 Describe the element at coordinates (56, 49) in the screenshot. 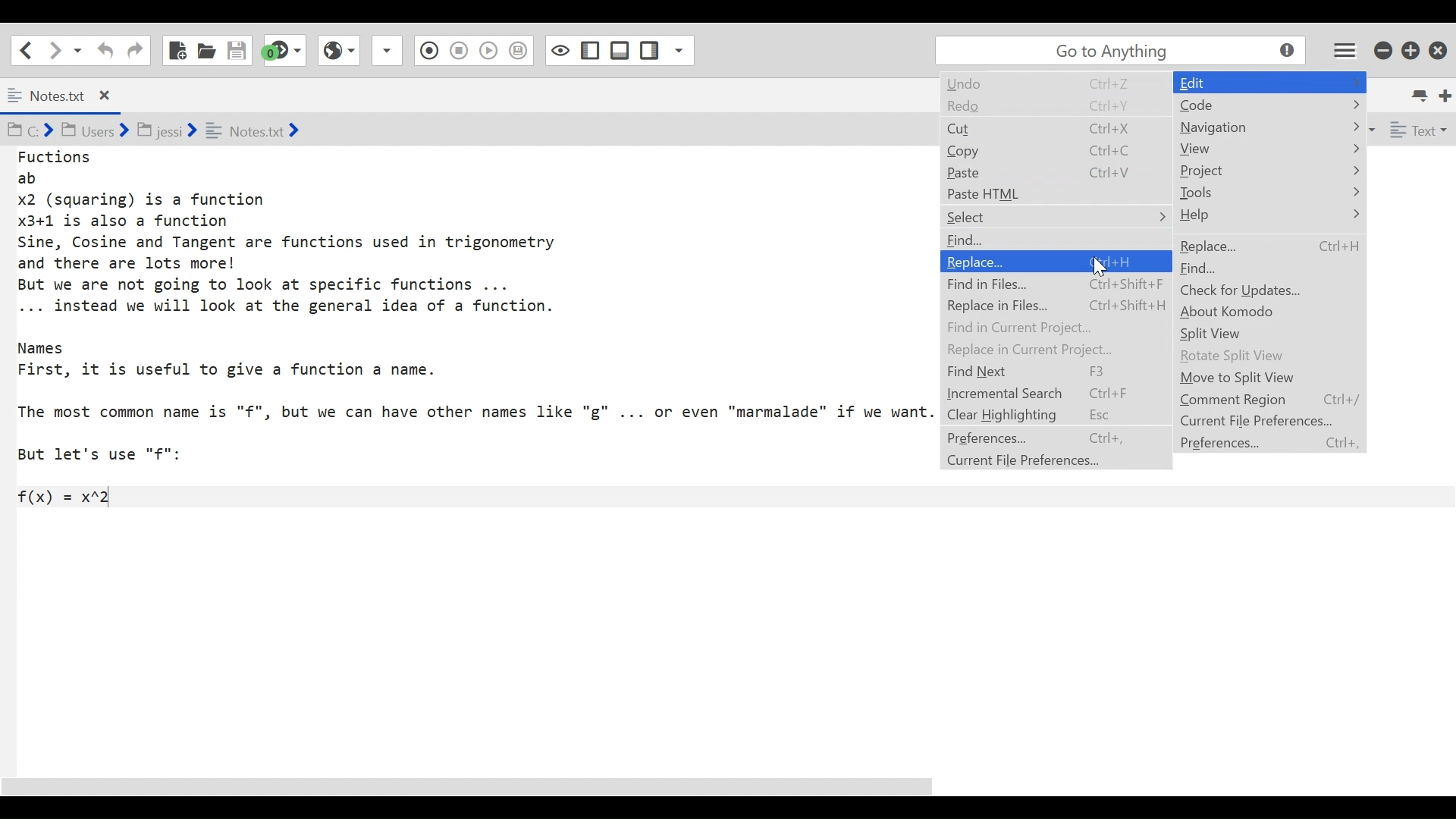

I see `Go forward one location` at that location.